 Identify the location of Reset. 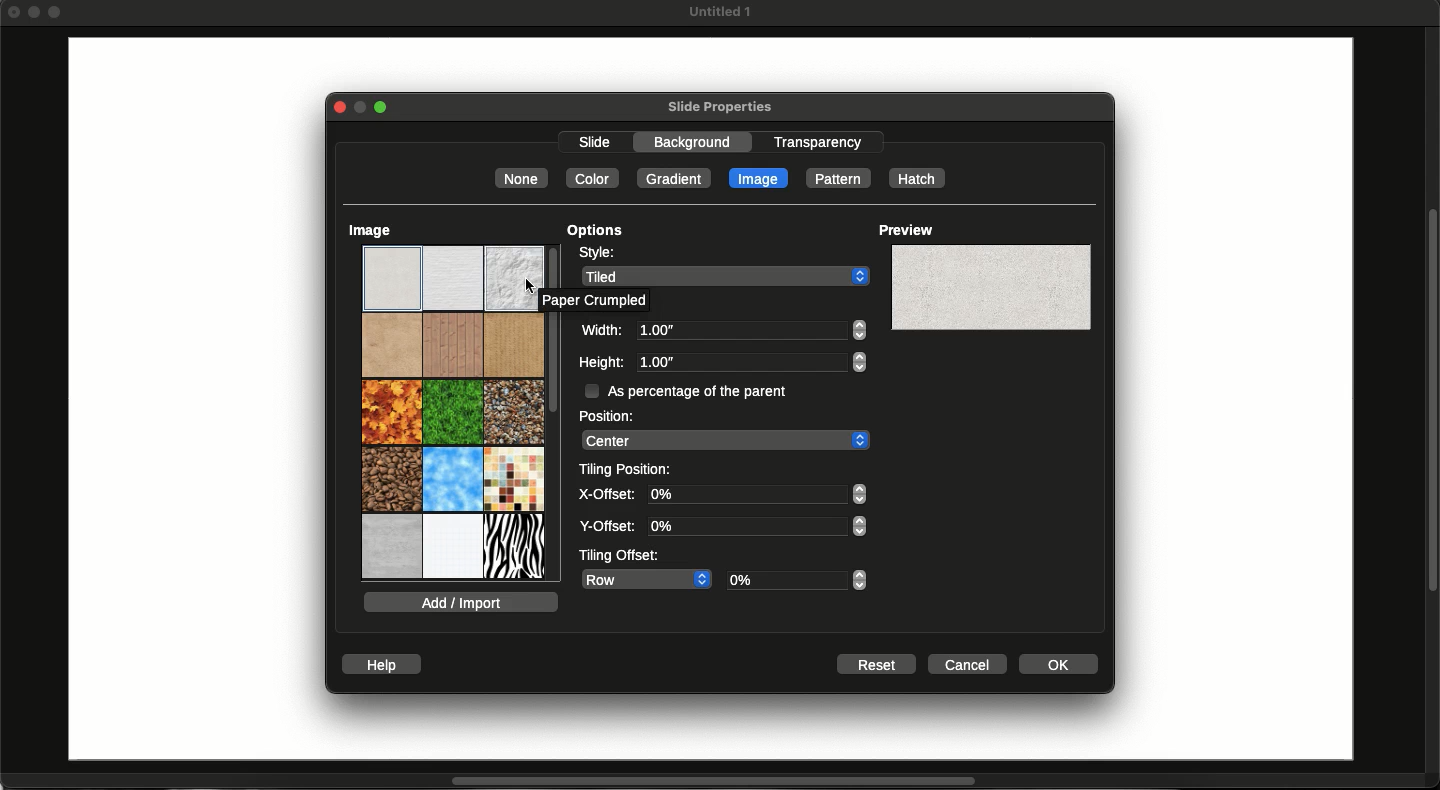
(875, 665).